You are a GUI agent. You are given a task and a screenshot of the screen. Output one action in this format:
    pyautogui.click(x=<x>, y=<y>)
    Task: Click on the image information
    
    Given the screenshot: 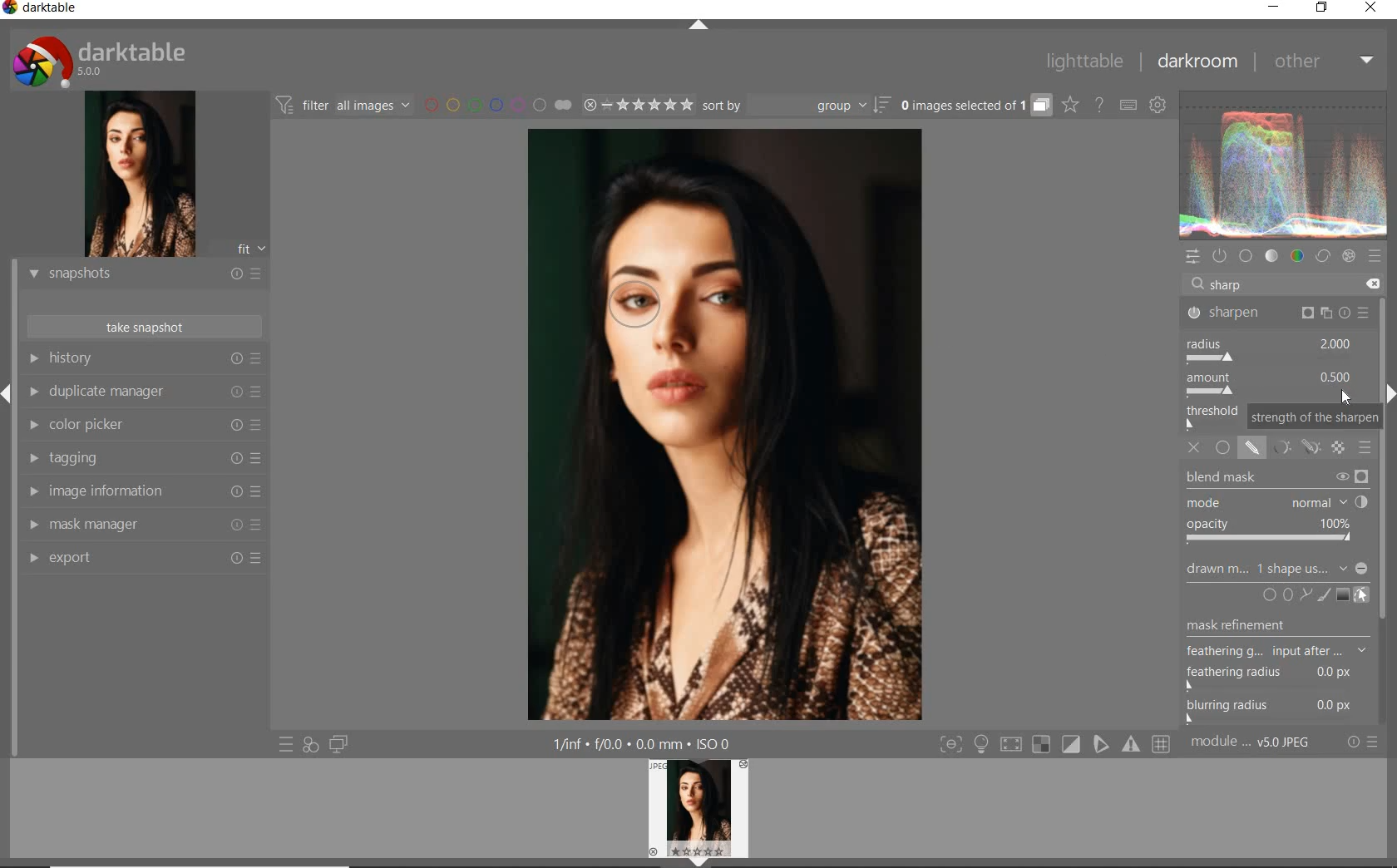 What is the action you would take?
    pyautogui.click(x=143, y=491)
    